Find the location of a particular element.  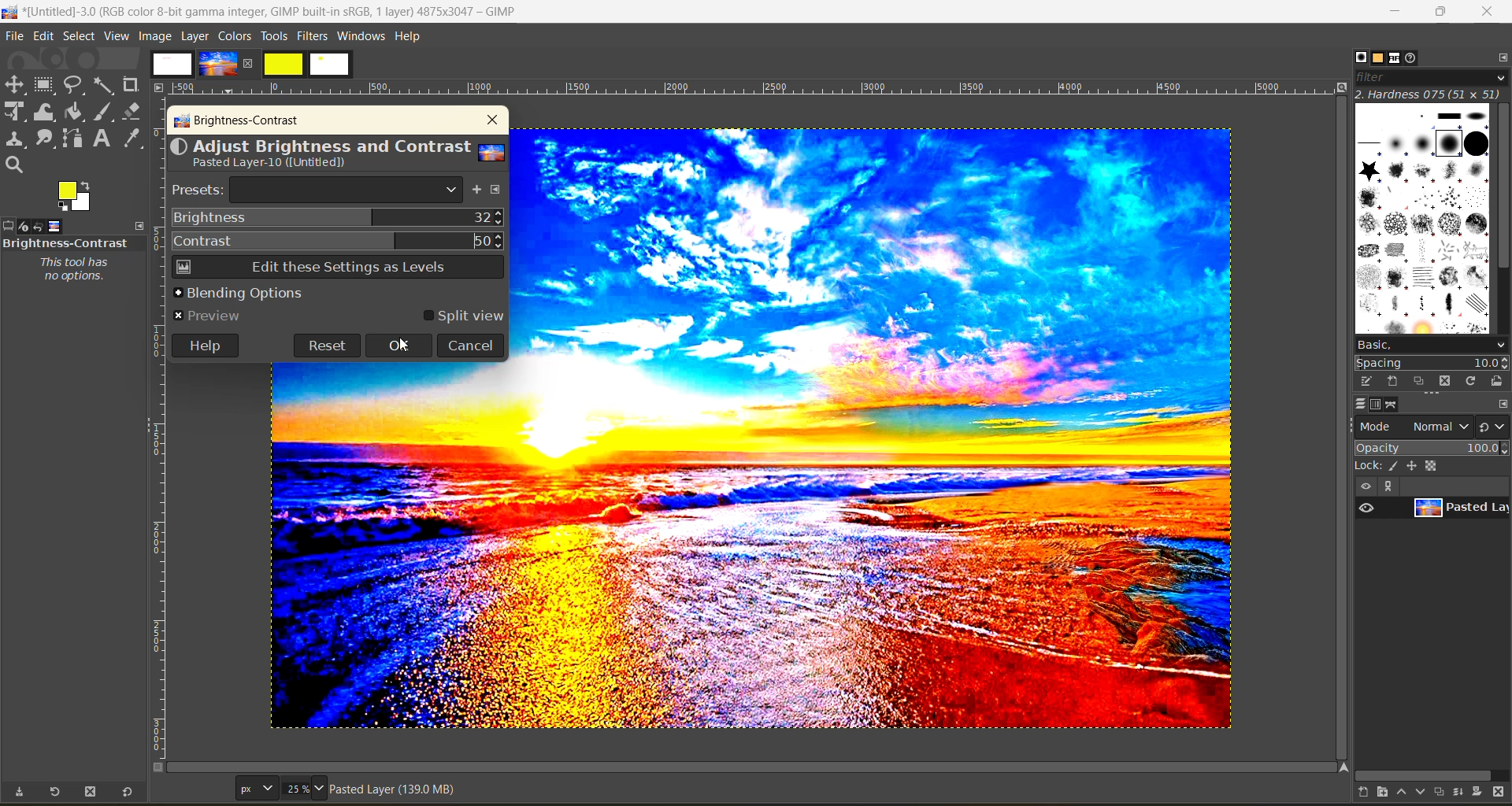

spacing is located at coordinates (1433, 364).